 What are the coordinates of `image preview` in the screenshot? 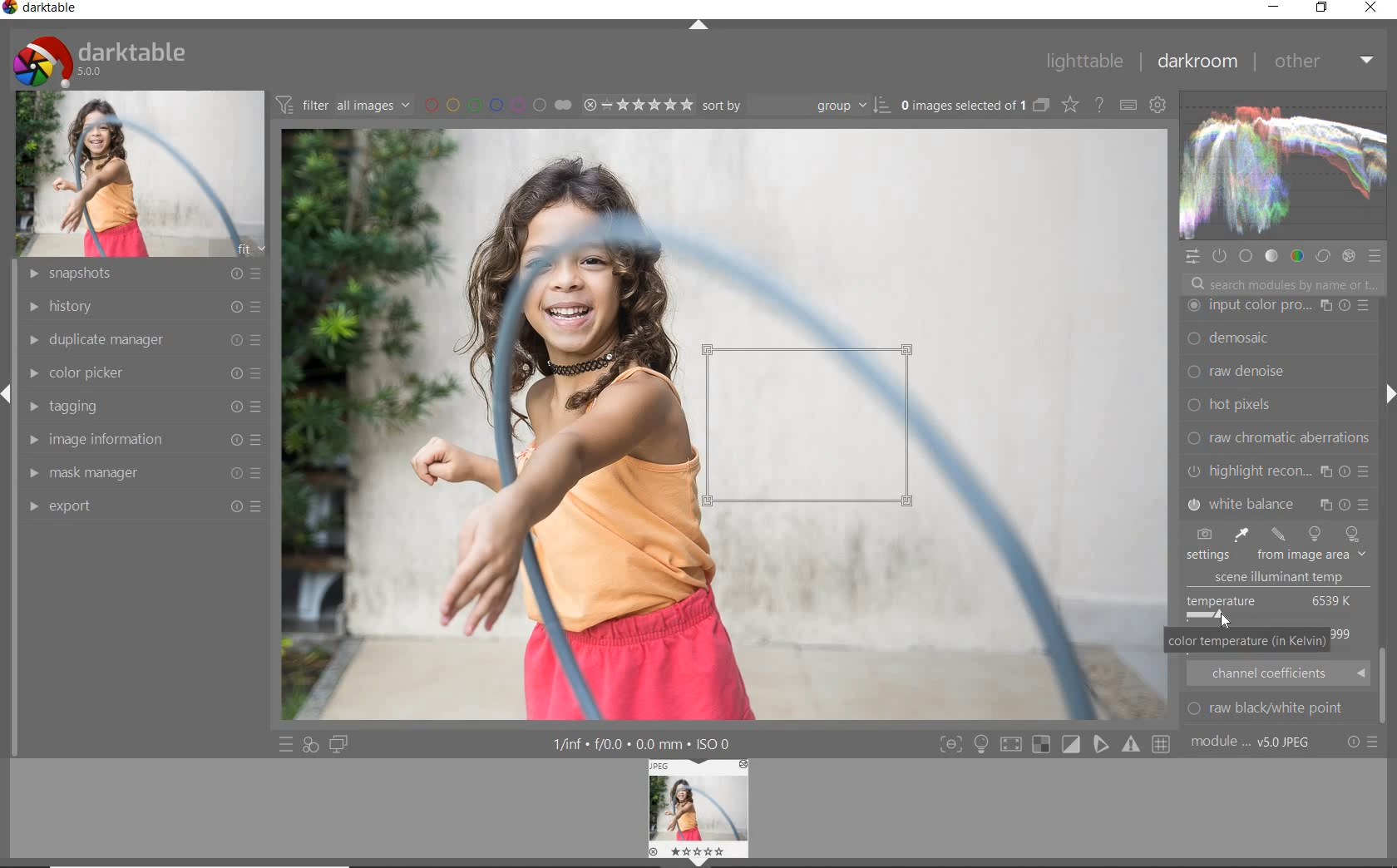 It's located at (699, 813).